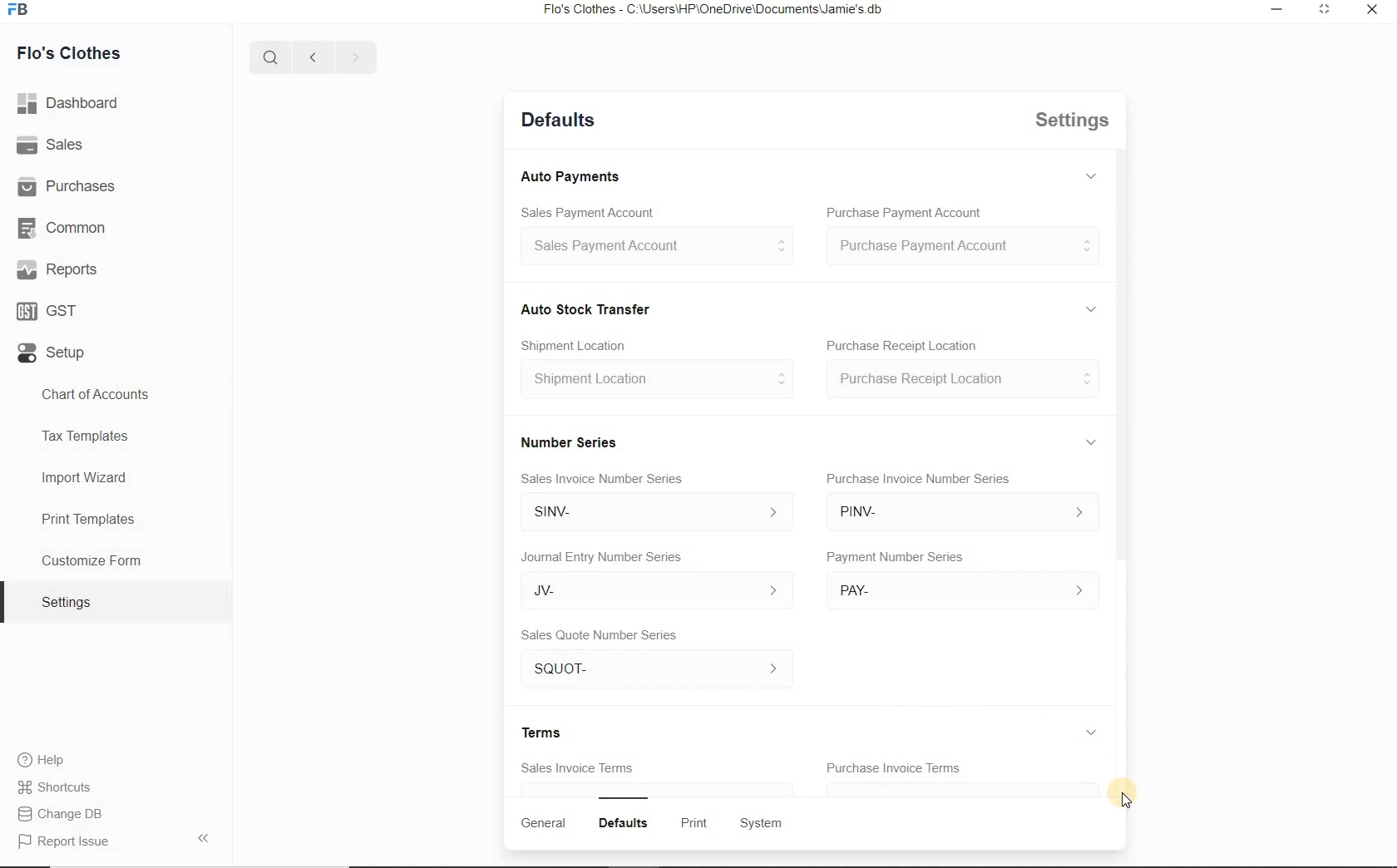 This screenshot has width=1397, height=868. What do you see at coordinates (1070, 120) in the screenshot?
I see `Settings` at bounding box center [1070, 120].